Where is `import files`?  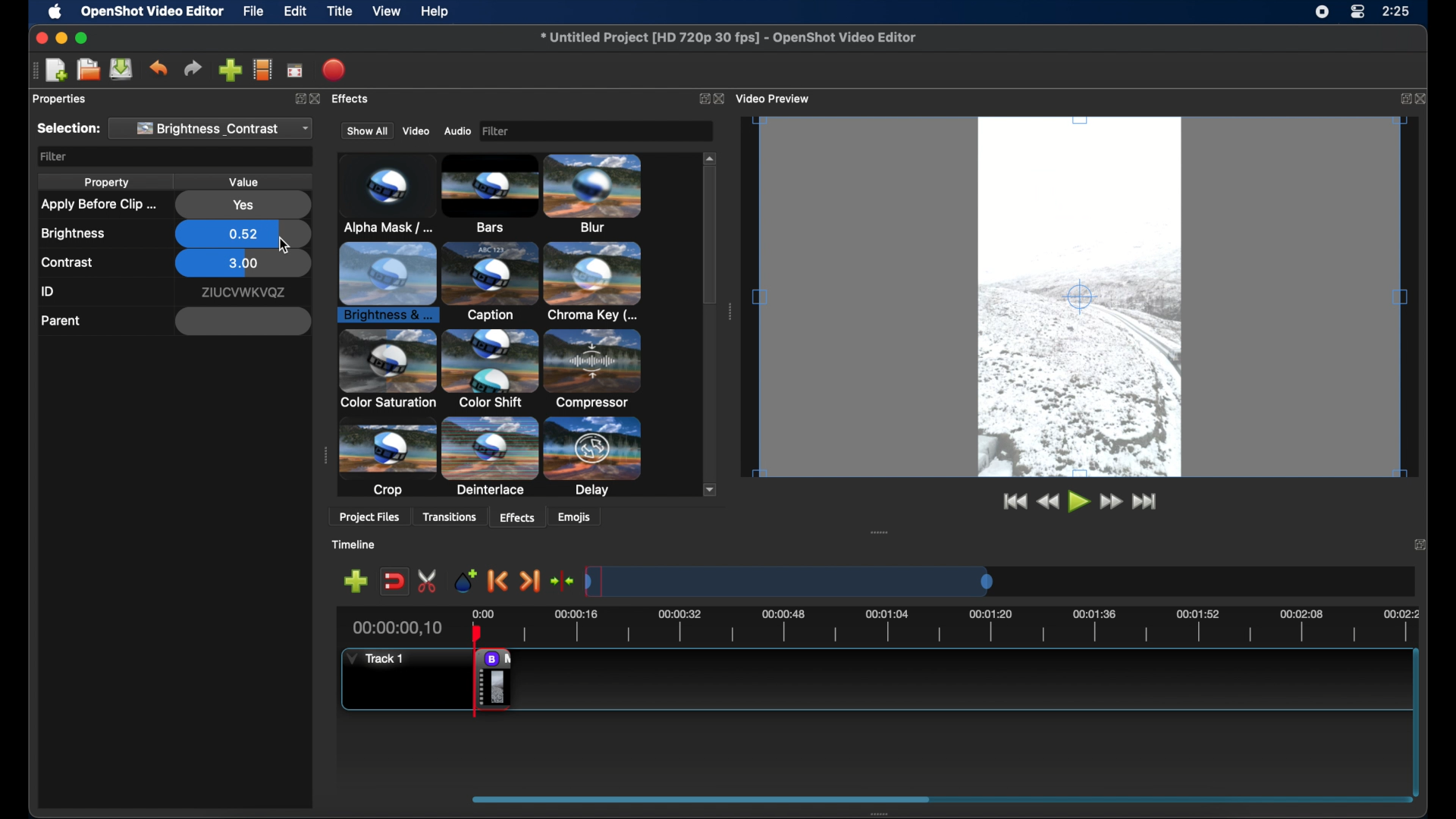
import files is located at coordinates (229, 70).